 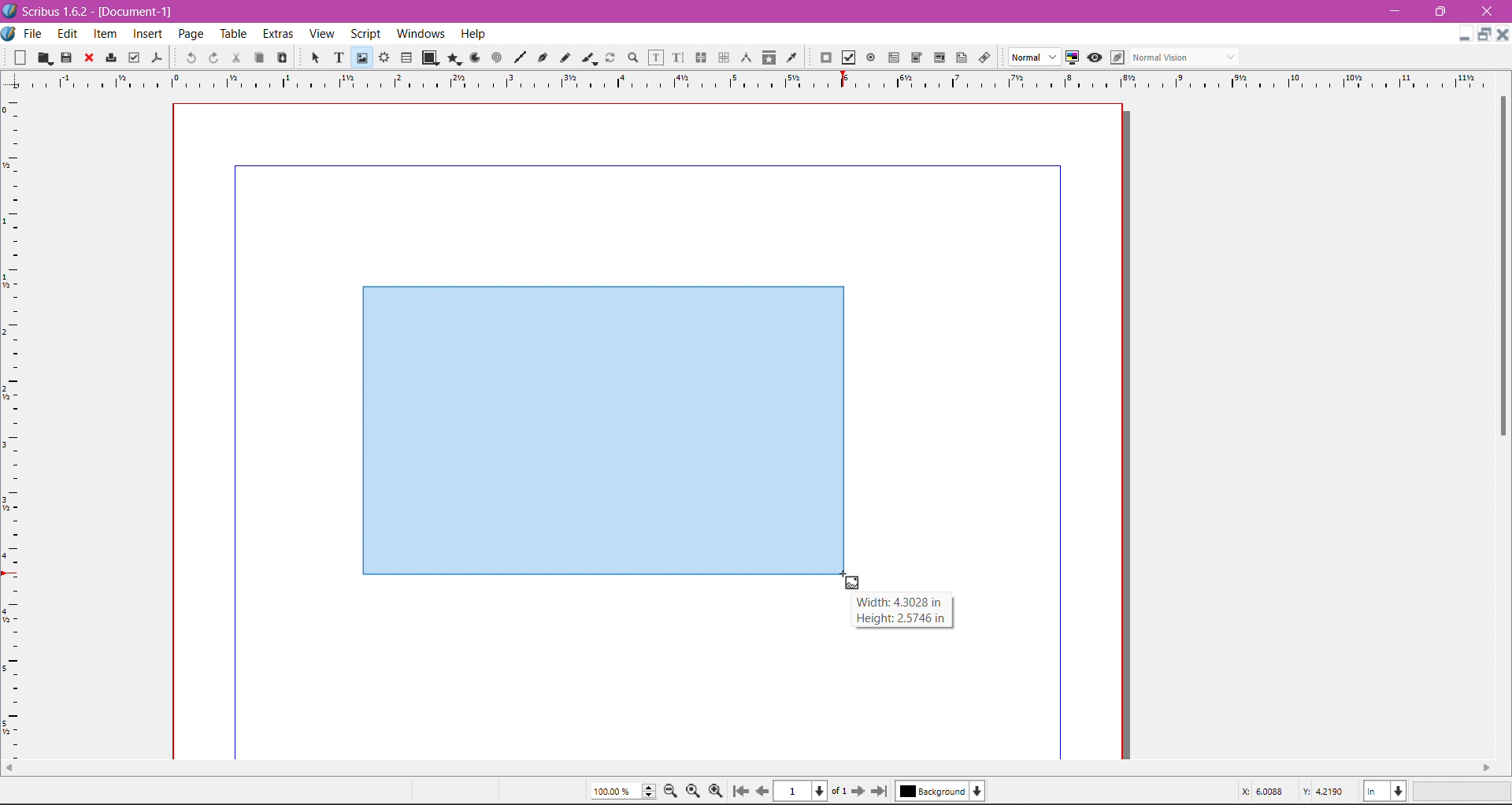 I want to click on Table, so click(x=235, y=35).